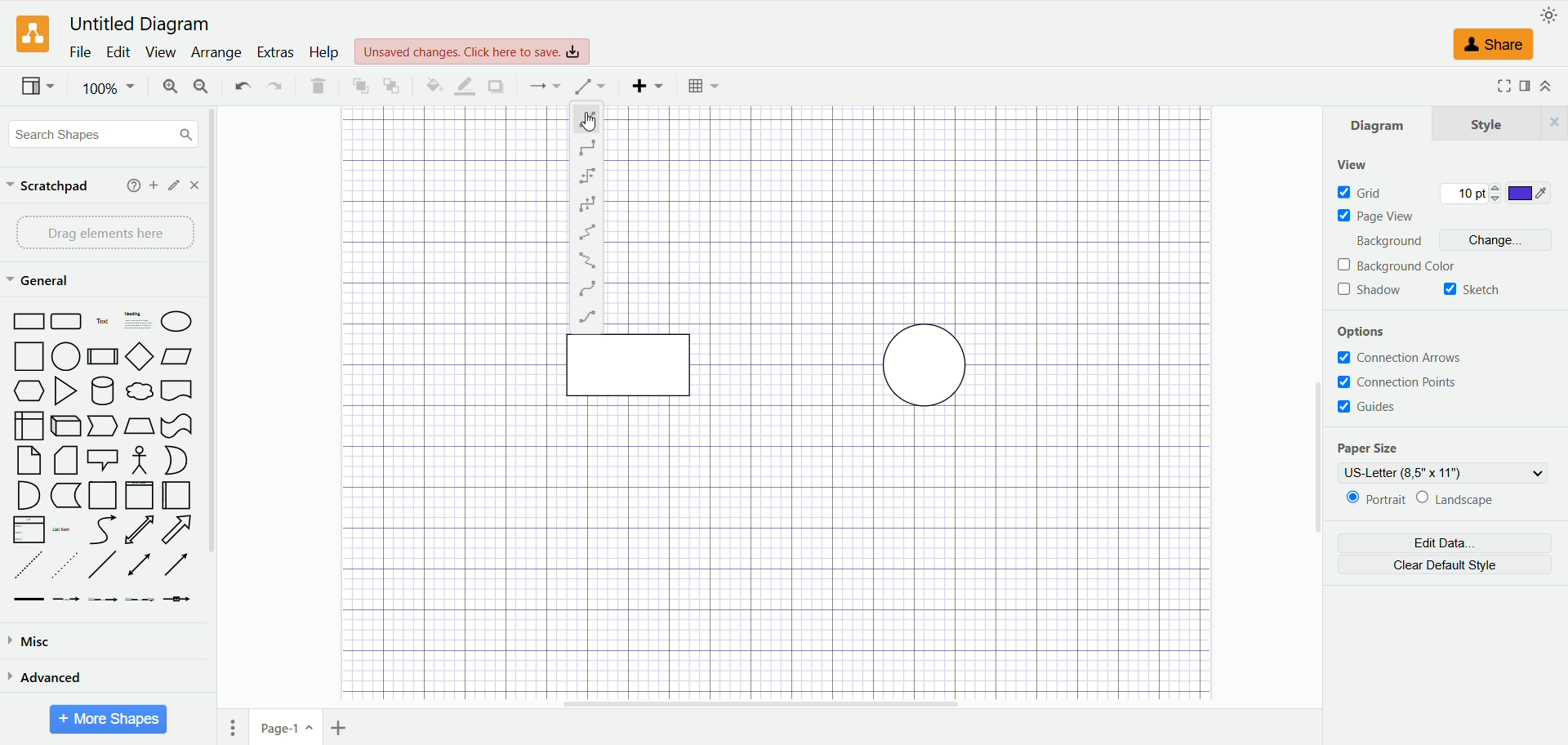 This screenshot has width=1568, height=745. What do you see at coordinates (1546, 15) in the screenshot?
I see `appearance` at bounding box center [1546, 15].